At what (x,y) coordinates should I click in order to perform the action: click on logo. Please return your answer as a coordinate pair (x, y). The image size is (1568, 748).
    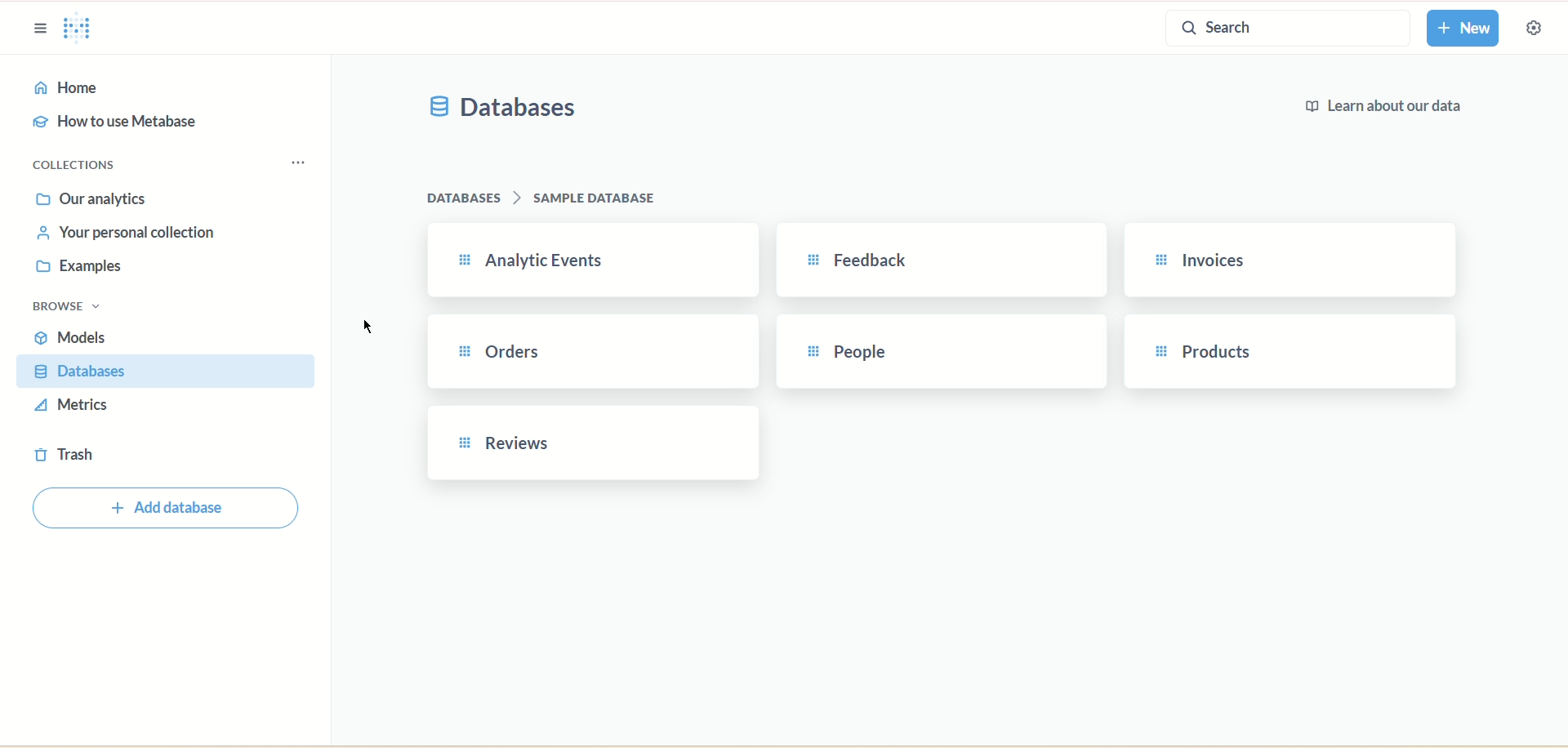
    Looking at the image, I should click on (75, 26).